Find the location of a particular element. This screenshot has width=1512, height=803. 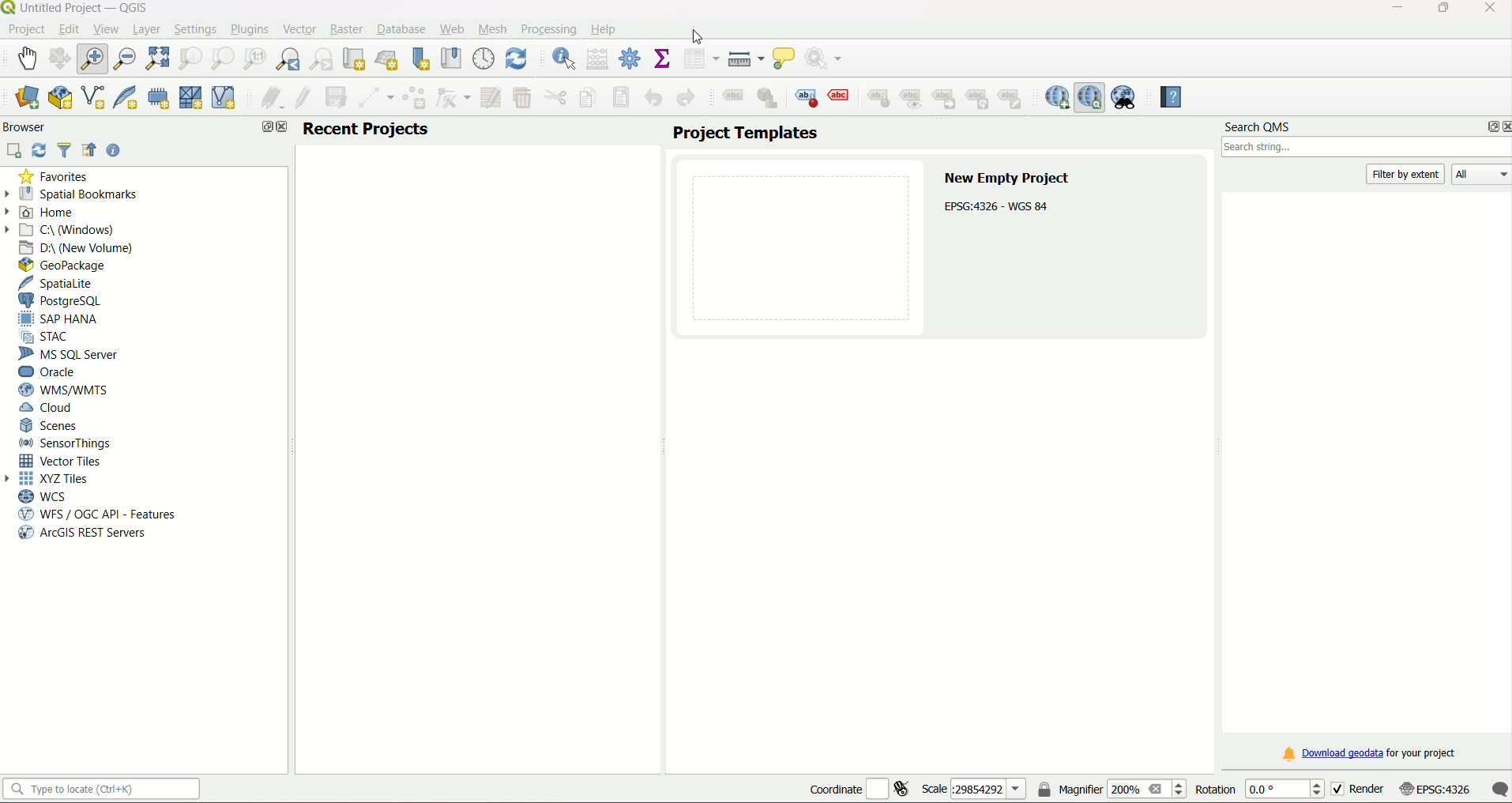

Raster is located at coordinates (346, 28).